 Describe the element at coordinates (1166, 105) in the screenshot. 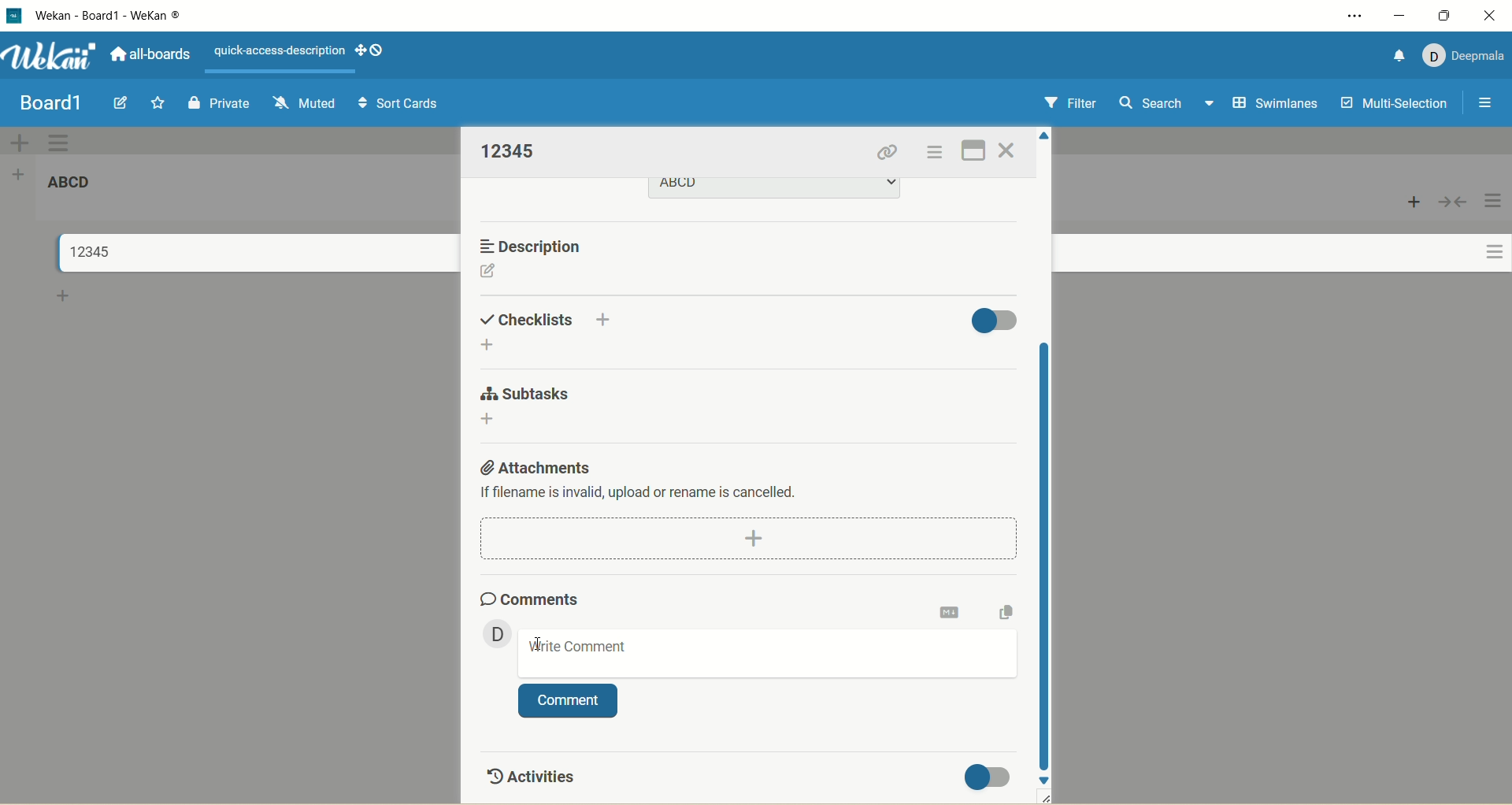

I see `search` at that location.